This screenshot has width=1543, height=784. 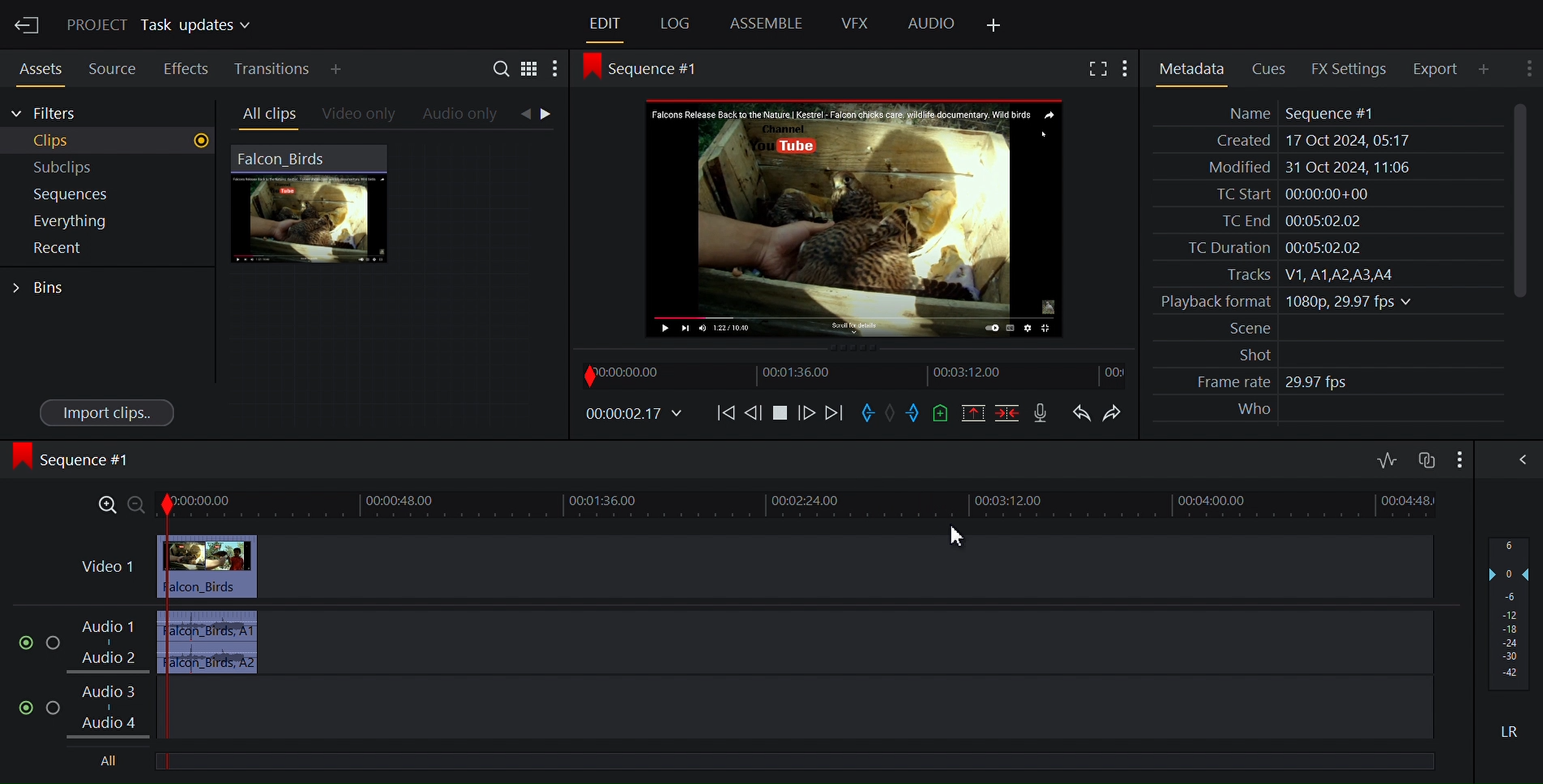 I want to click on Clips, so click(x=107, y=141).